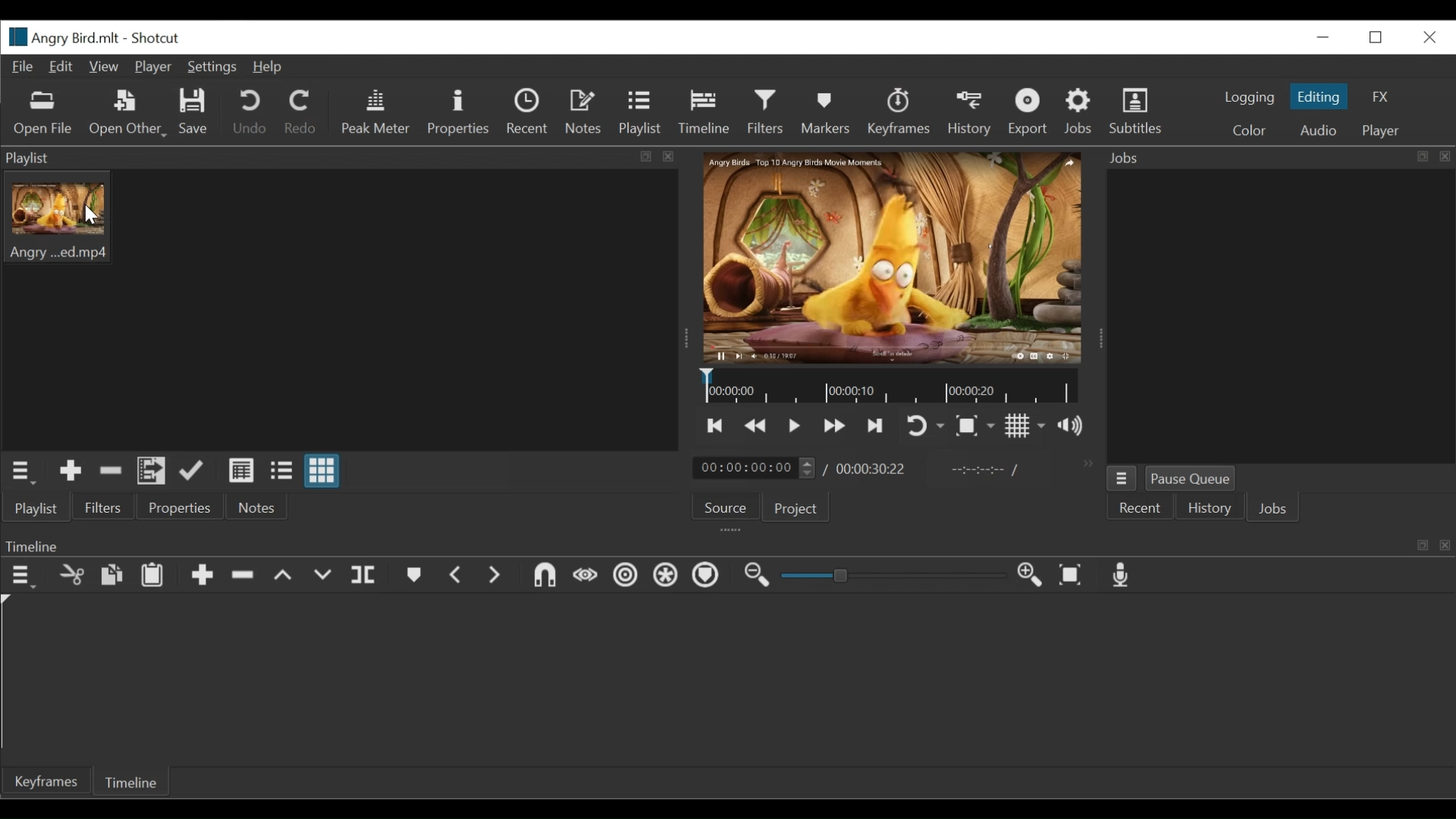 Image resolution: width=1456 pixels, height=819 pixels. What do you see at coordinates (758, 577) in the screenshot?
I see `Zoom timeline out` at bounding box center [758, 577].